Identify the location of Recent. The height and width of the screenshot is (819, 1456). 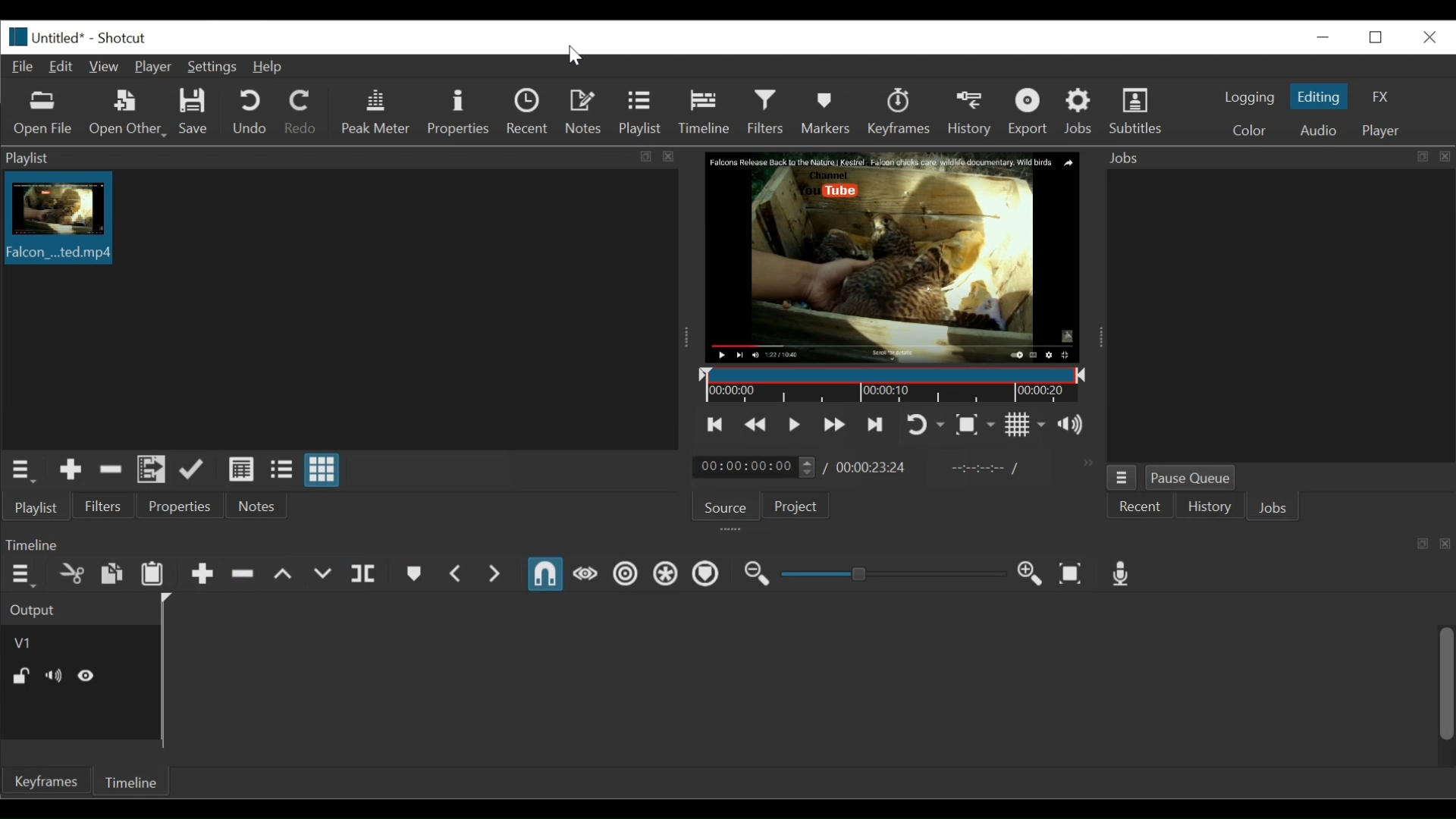
(529, 111).